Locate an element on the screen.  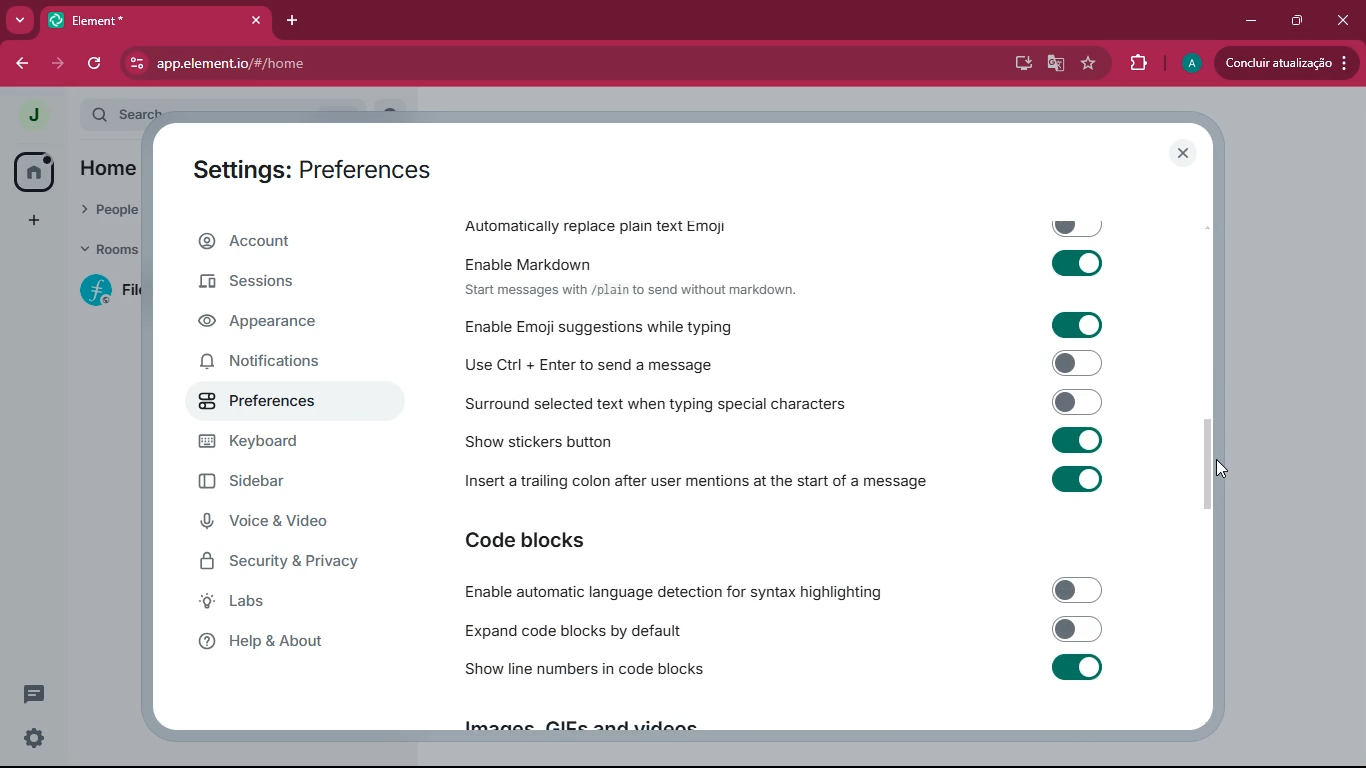
room is located at coordinates (102, 291).